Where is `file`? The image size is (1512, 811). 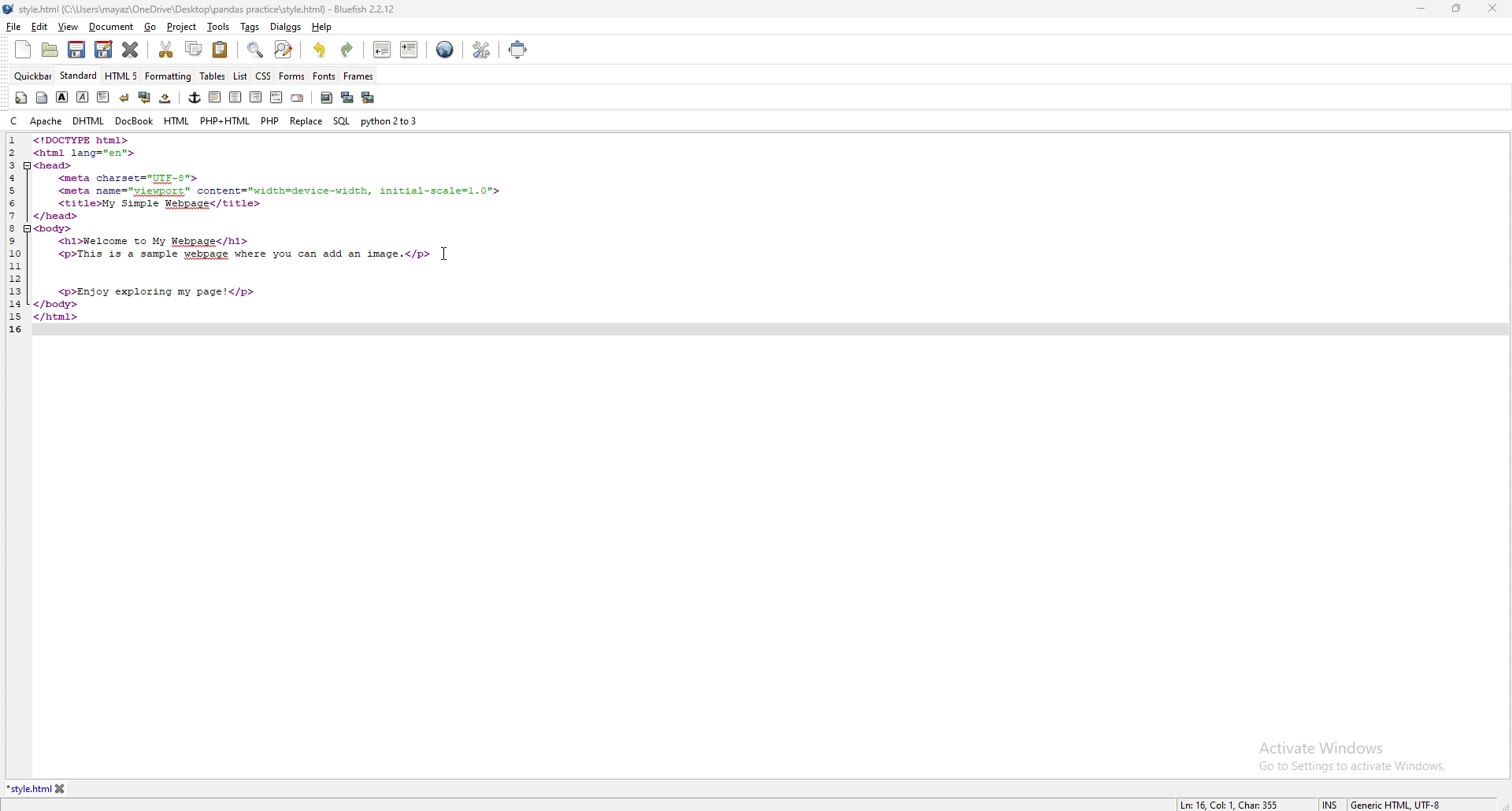
file is located at coordinates (14, 27).